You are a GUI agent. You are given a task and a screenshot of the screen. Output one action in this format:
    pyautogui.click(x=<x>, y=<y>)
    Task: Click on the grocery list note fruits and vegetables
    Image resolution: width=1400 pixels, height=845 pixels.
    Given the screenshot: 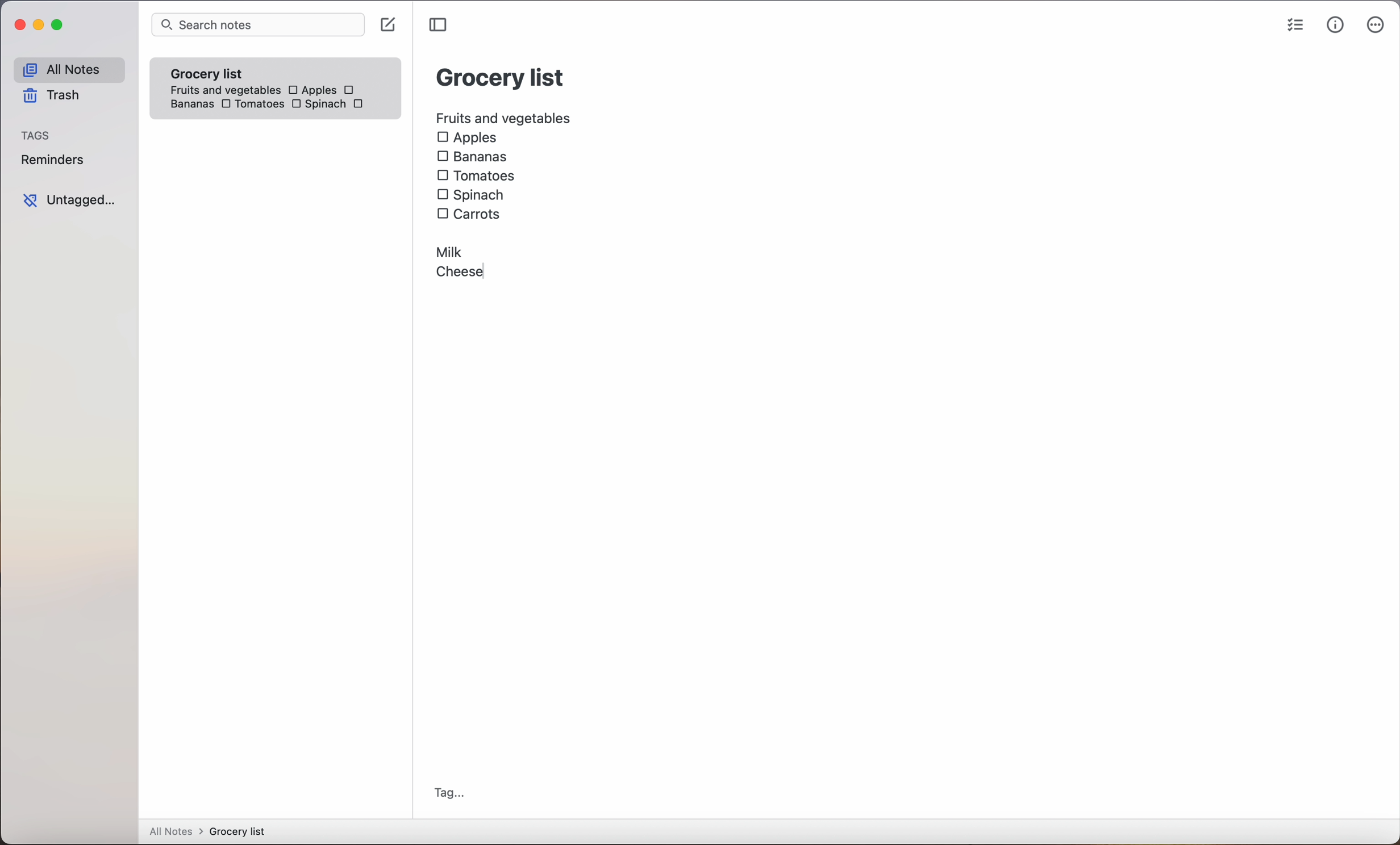 What is the action you would take?
    pyautogui.click(x=221, y=77)
    